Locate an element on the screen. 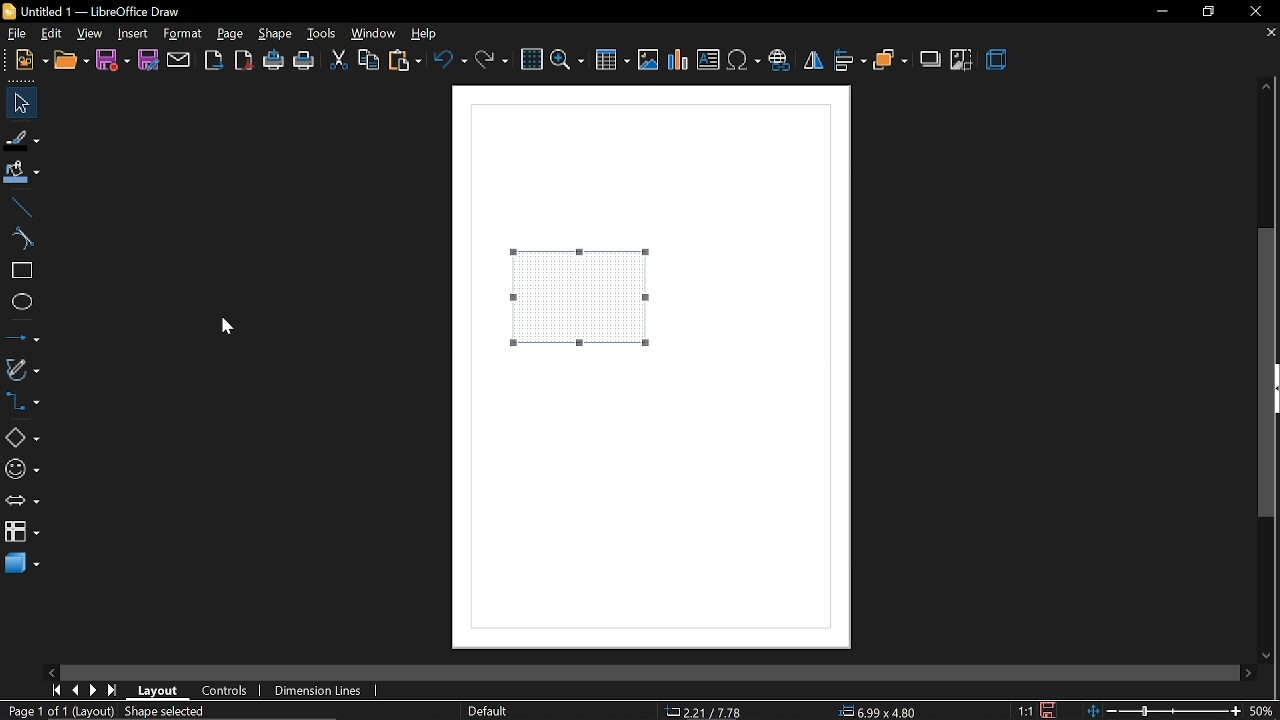 This screenshot has width=1280, height=720. tools is located at coordinates (324, 34).